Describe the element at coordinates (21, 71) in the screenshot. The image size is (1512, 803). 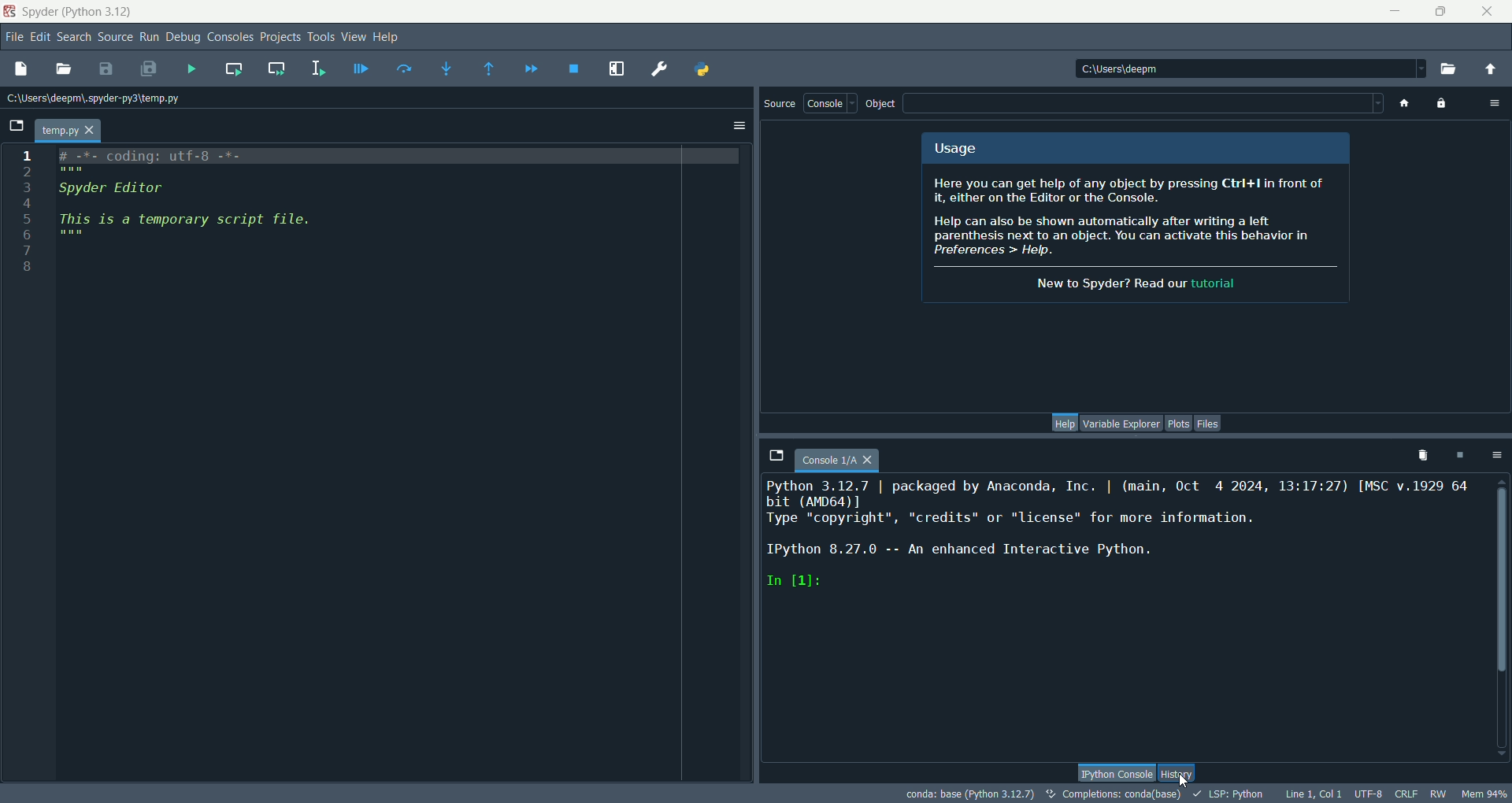
I see `new` at that location.